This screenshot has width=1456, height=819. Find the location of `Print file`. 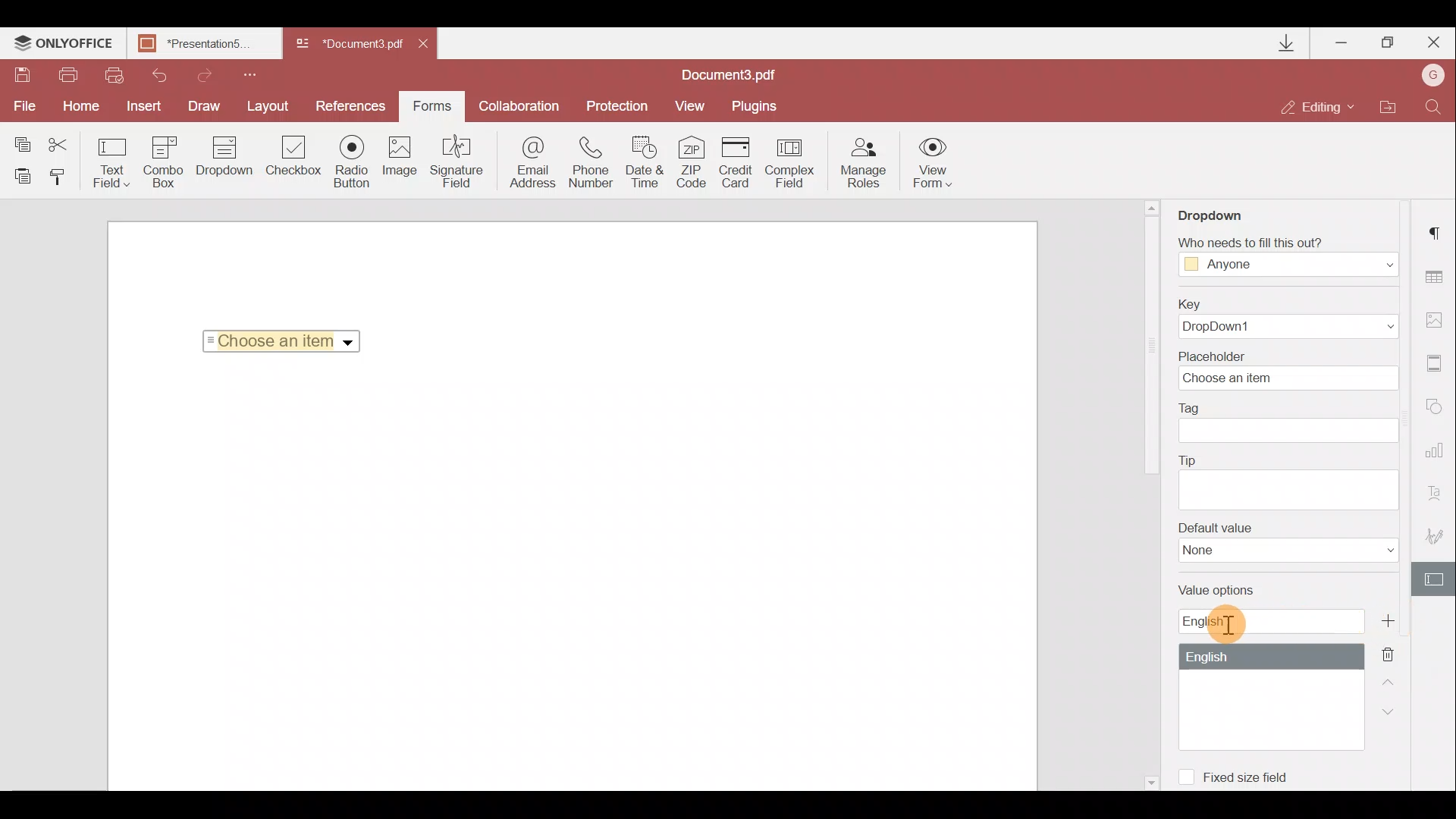

Print file is located at coordinates (70, 76).